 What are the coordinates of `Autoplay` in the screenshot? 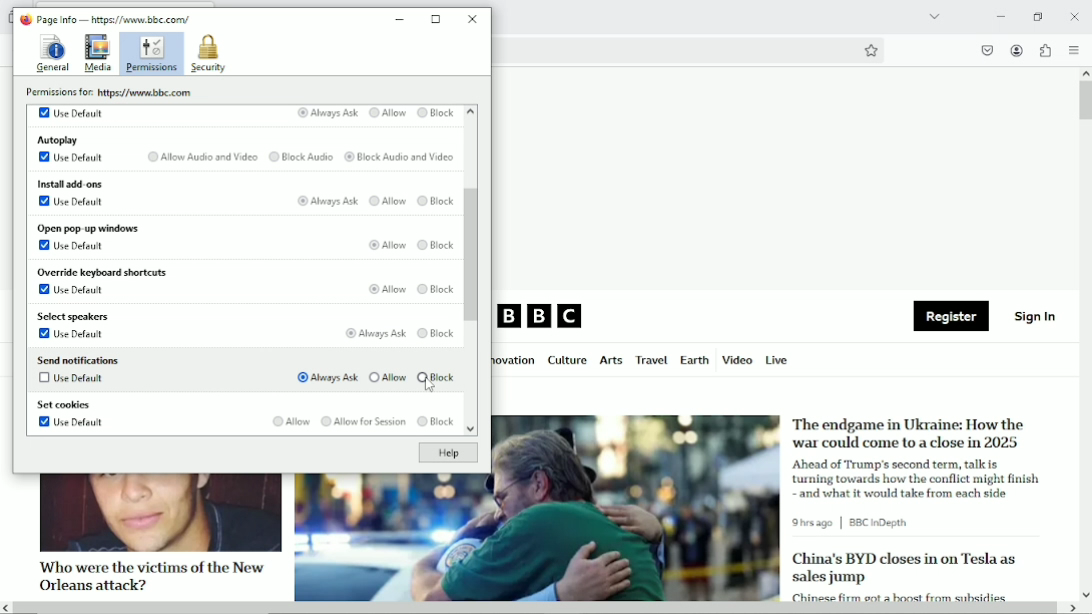 It's located at (59, 139).